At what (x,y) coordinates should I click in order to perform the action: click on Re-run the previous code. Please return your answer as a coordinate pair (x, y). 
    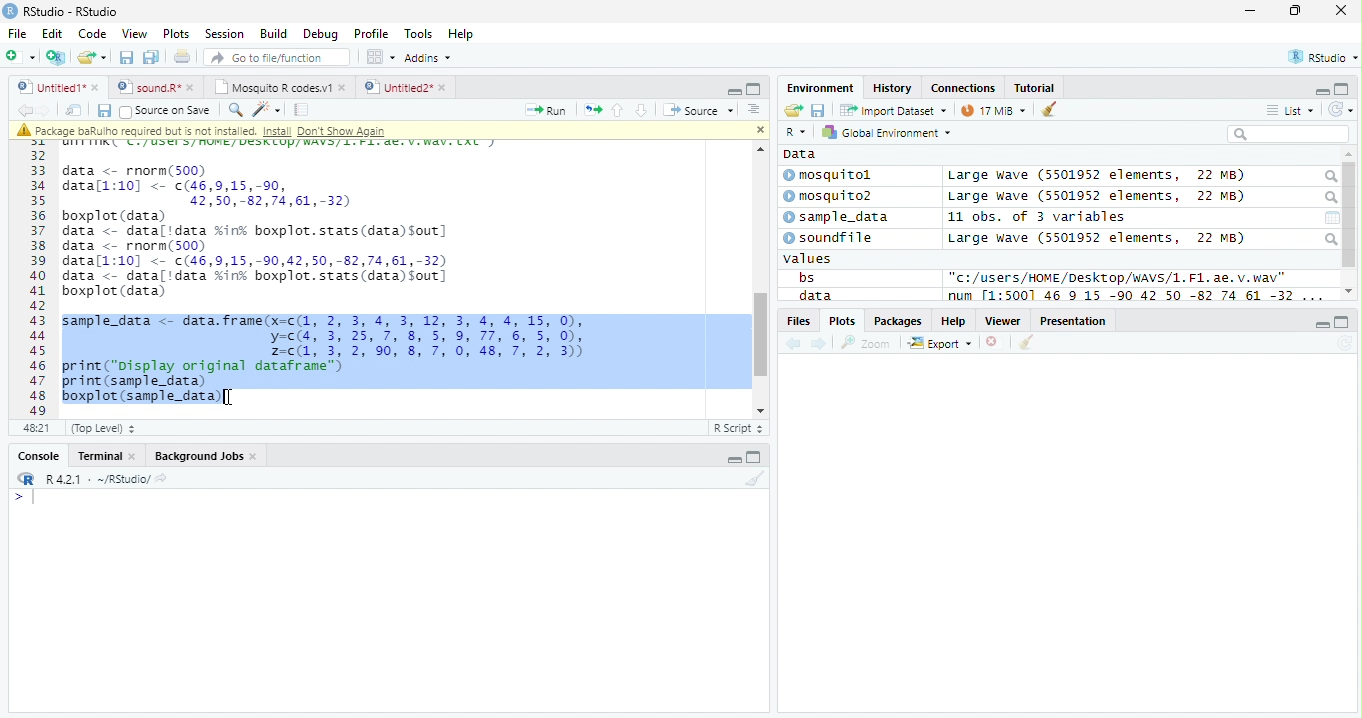
    Looking at the image, I should click on (592, 110).